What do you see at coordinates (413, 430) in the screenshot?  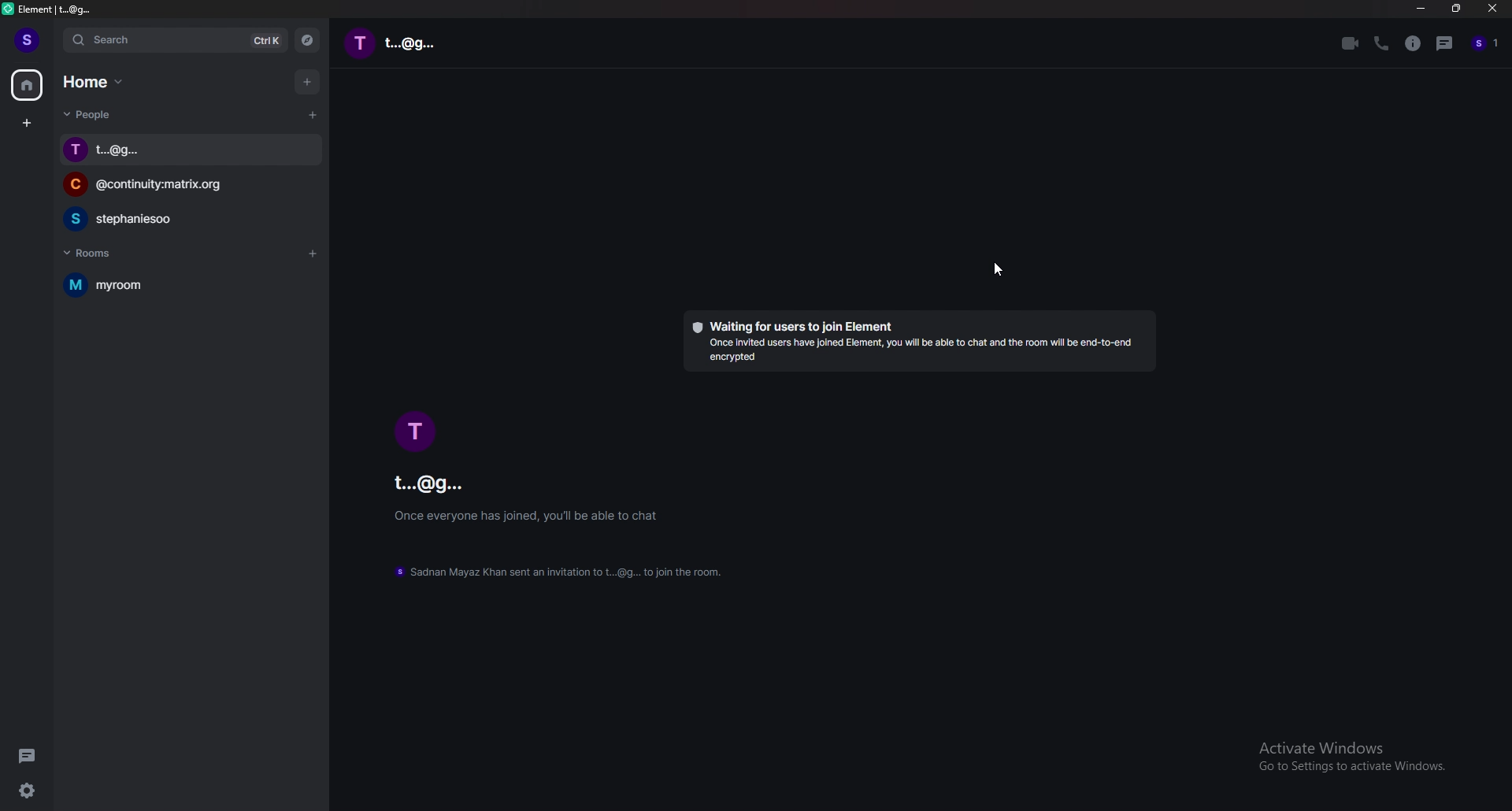 I see `profile photo` at bounding box center [413, 430].